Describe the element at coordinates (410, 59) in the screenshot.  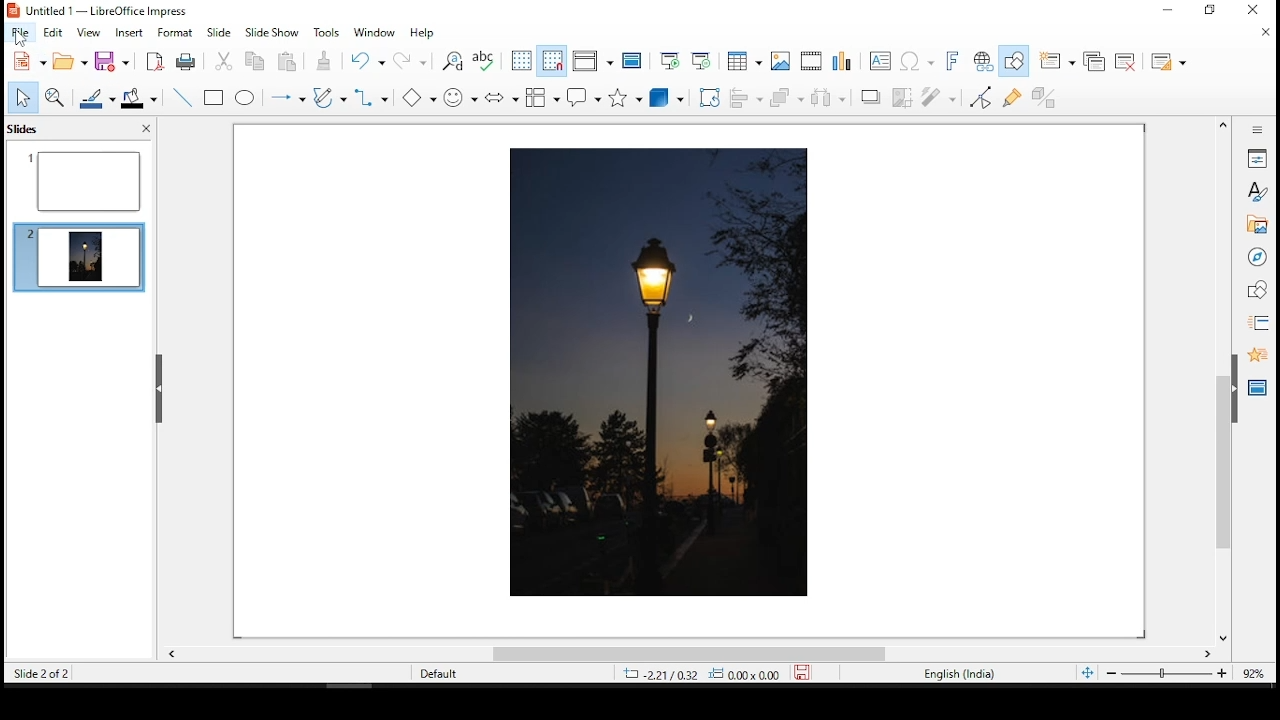
I see `redo` at that location.